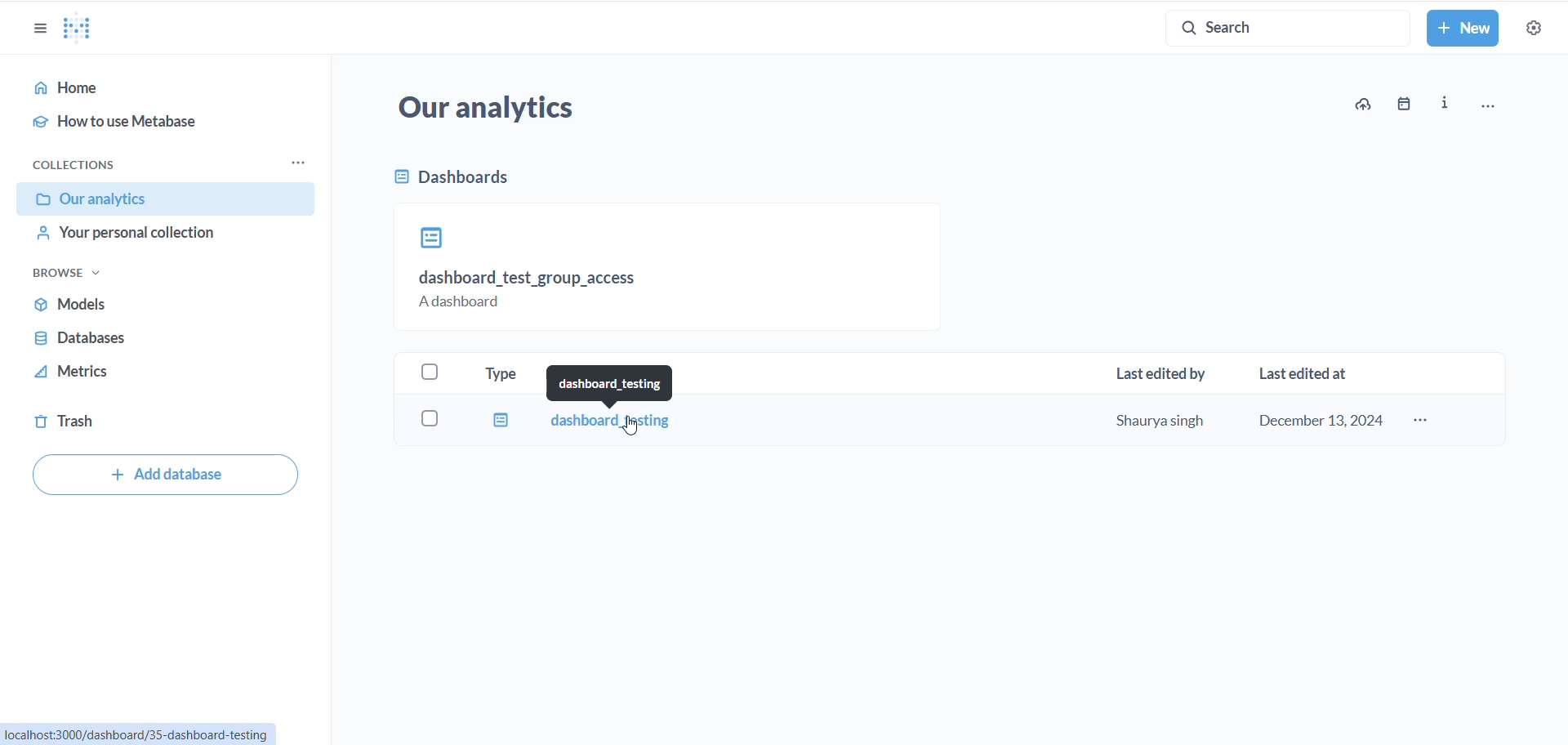  What do you see at coordinates (102, 375) in the screenshot?
I see `metrics ` at bounding box center [102, 375].